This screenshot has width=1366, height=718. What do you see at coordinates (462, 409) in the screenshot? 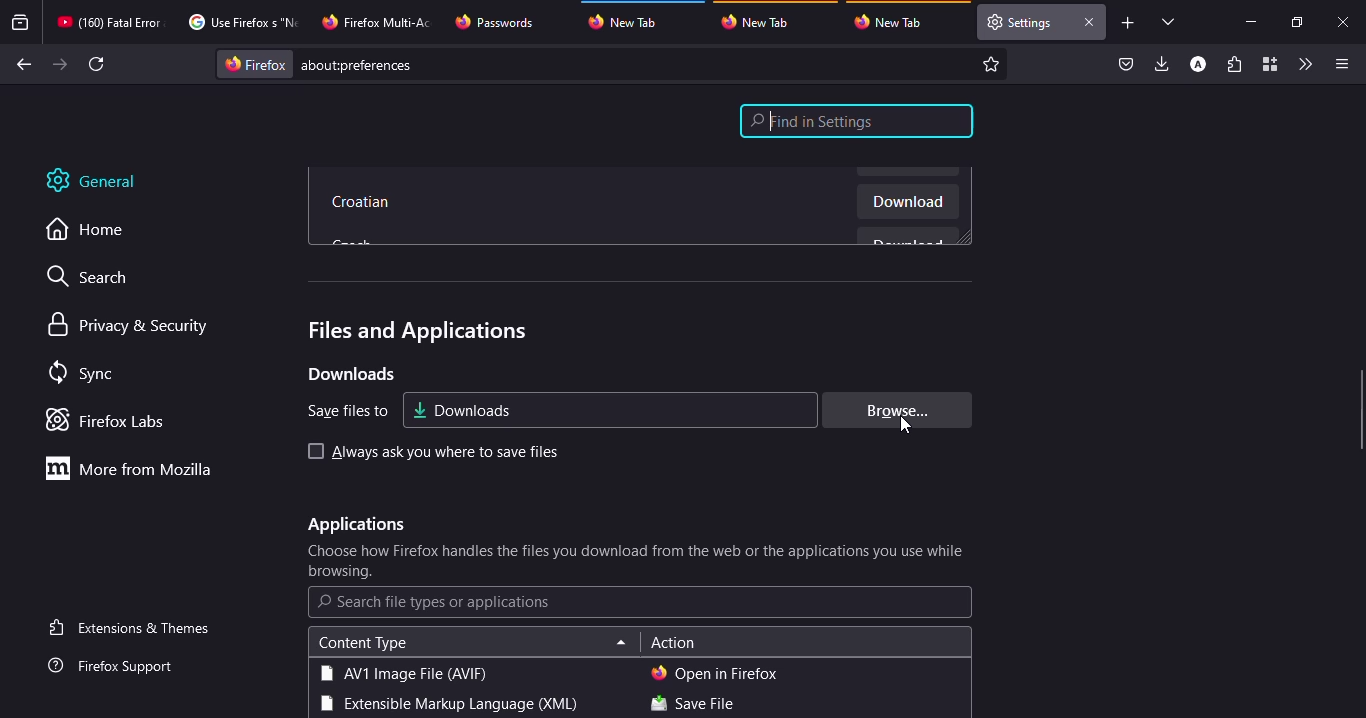
I see `downloads` at bounding box center [462, 409].